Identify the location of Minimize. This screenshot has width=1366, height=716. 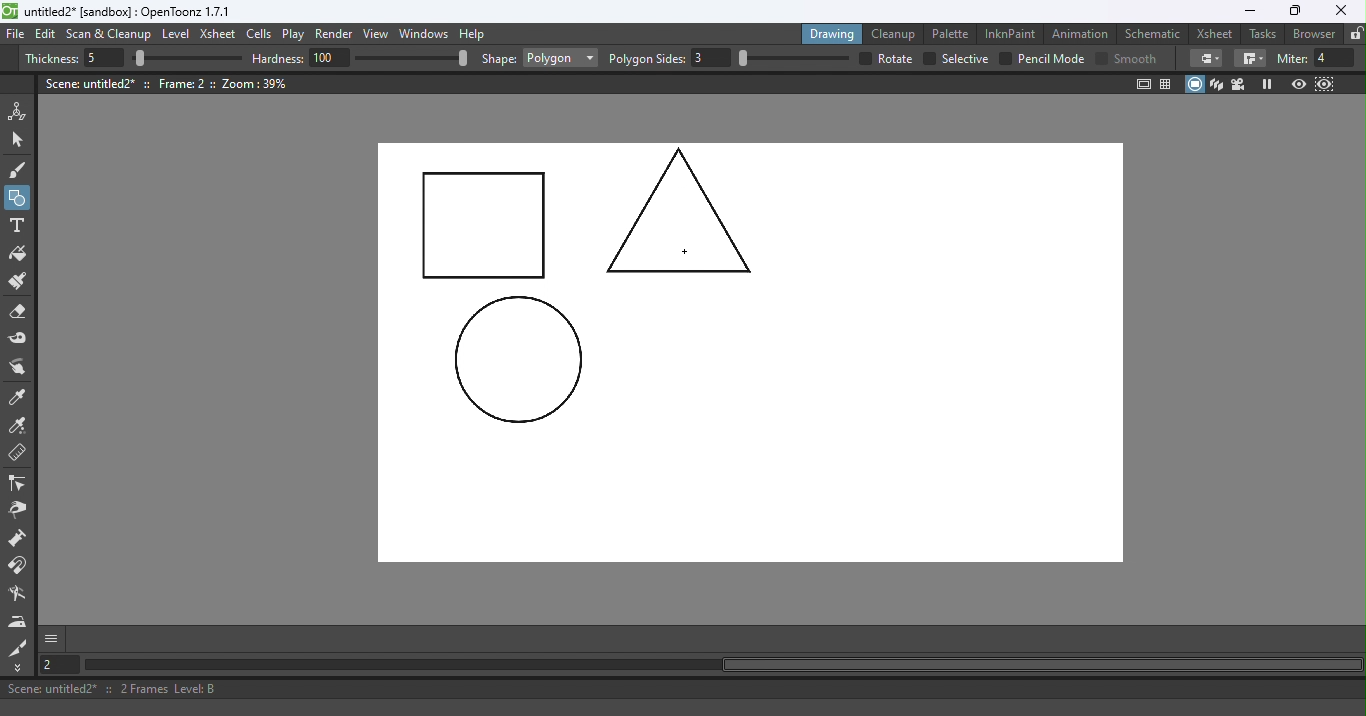
(1249, 11).